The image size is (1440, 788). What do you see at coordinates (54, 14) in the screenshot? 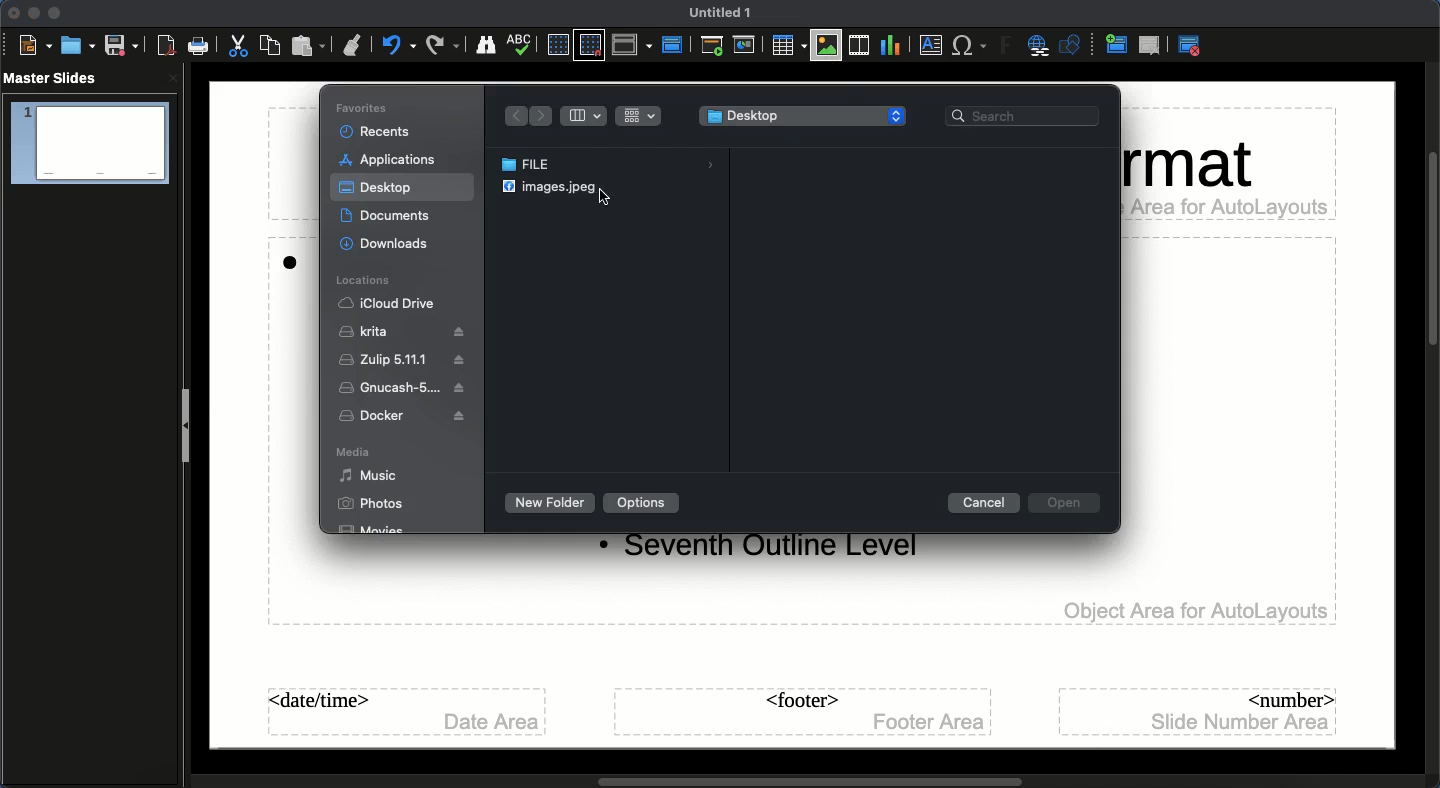
I see `Maximize` at bounding box center [54, 14].